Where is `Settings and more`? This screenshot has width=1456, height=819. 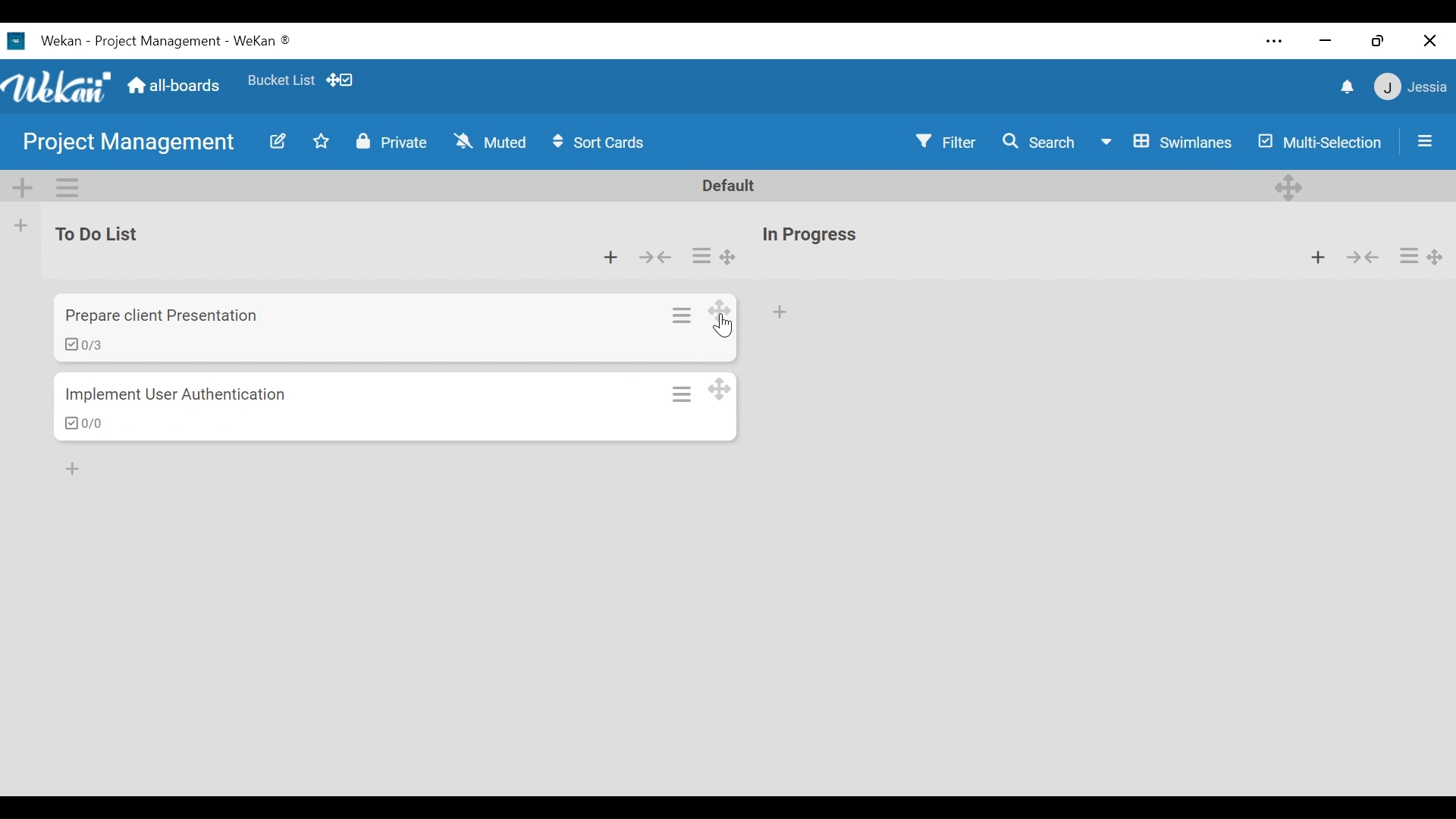 Settings and more is located at coordinates (1276, 41).